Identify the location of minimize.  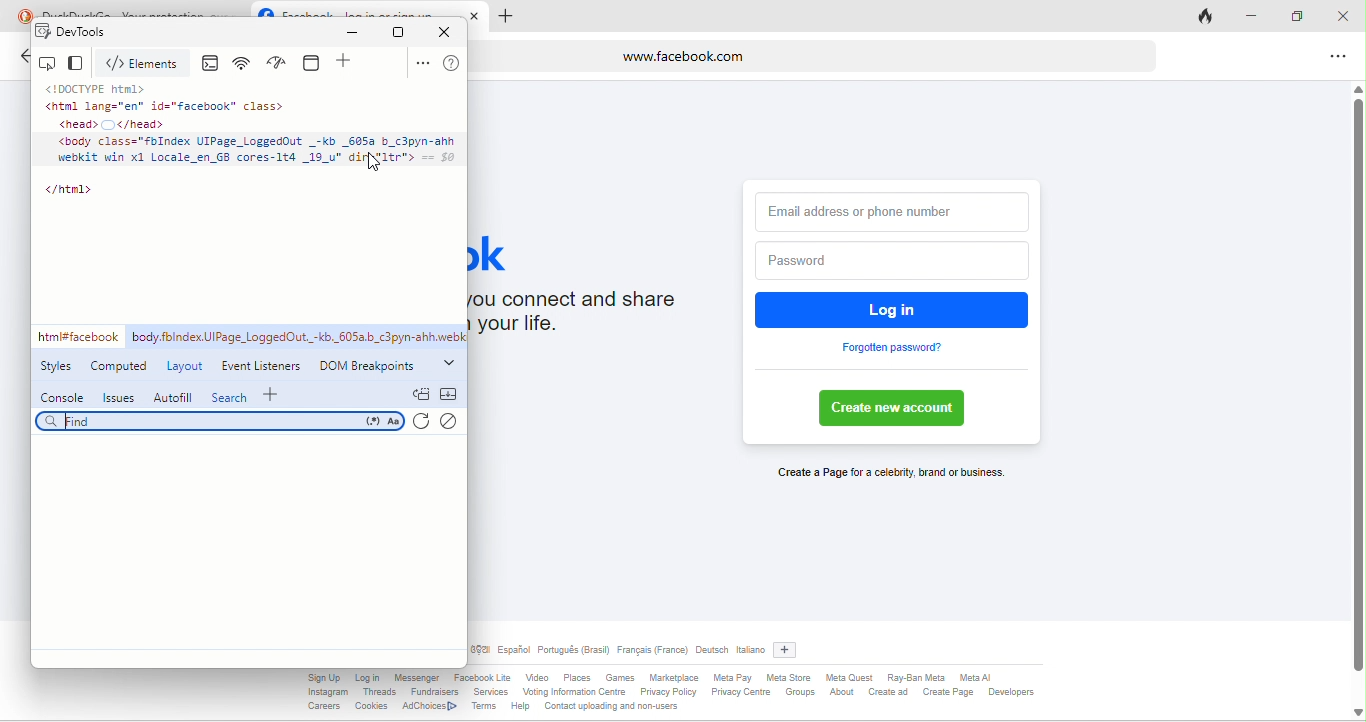
(1260, 18).